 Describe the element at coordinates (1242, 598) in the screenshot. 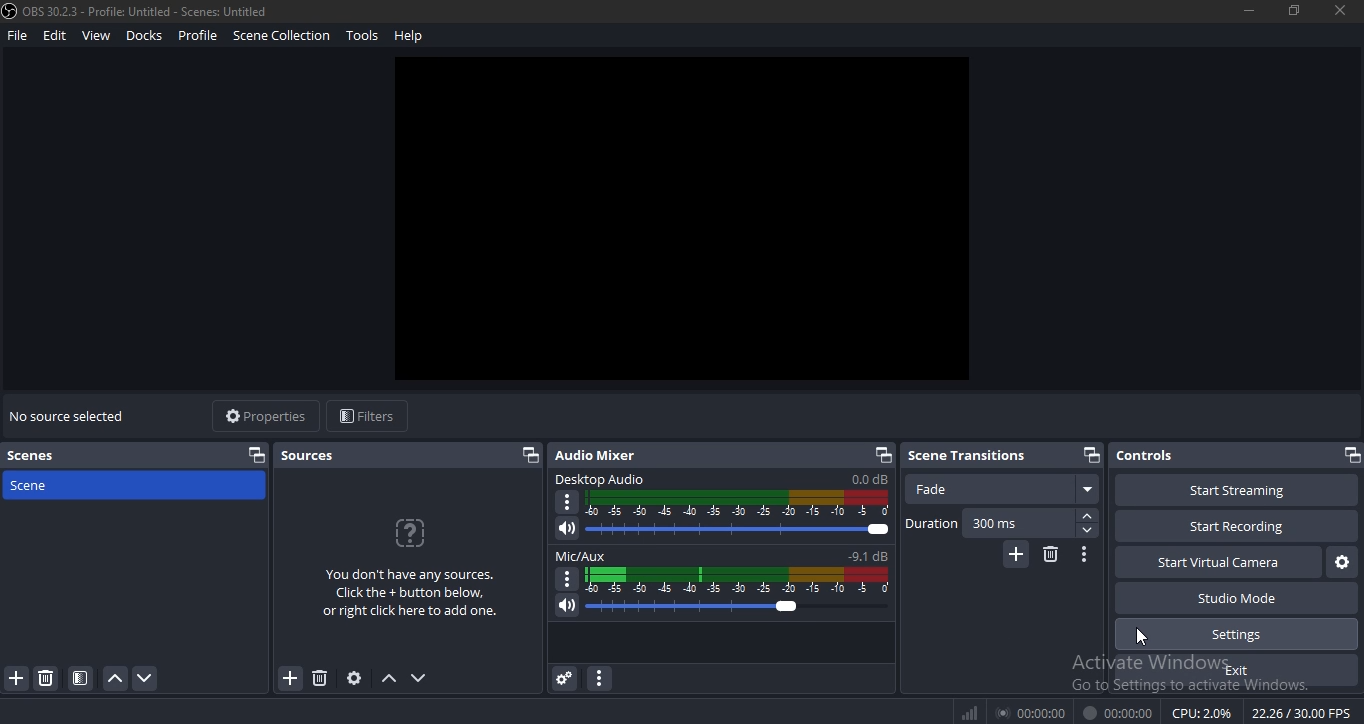

I see `studio` at that location.